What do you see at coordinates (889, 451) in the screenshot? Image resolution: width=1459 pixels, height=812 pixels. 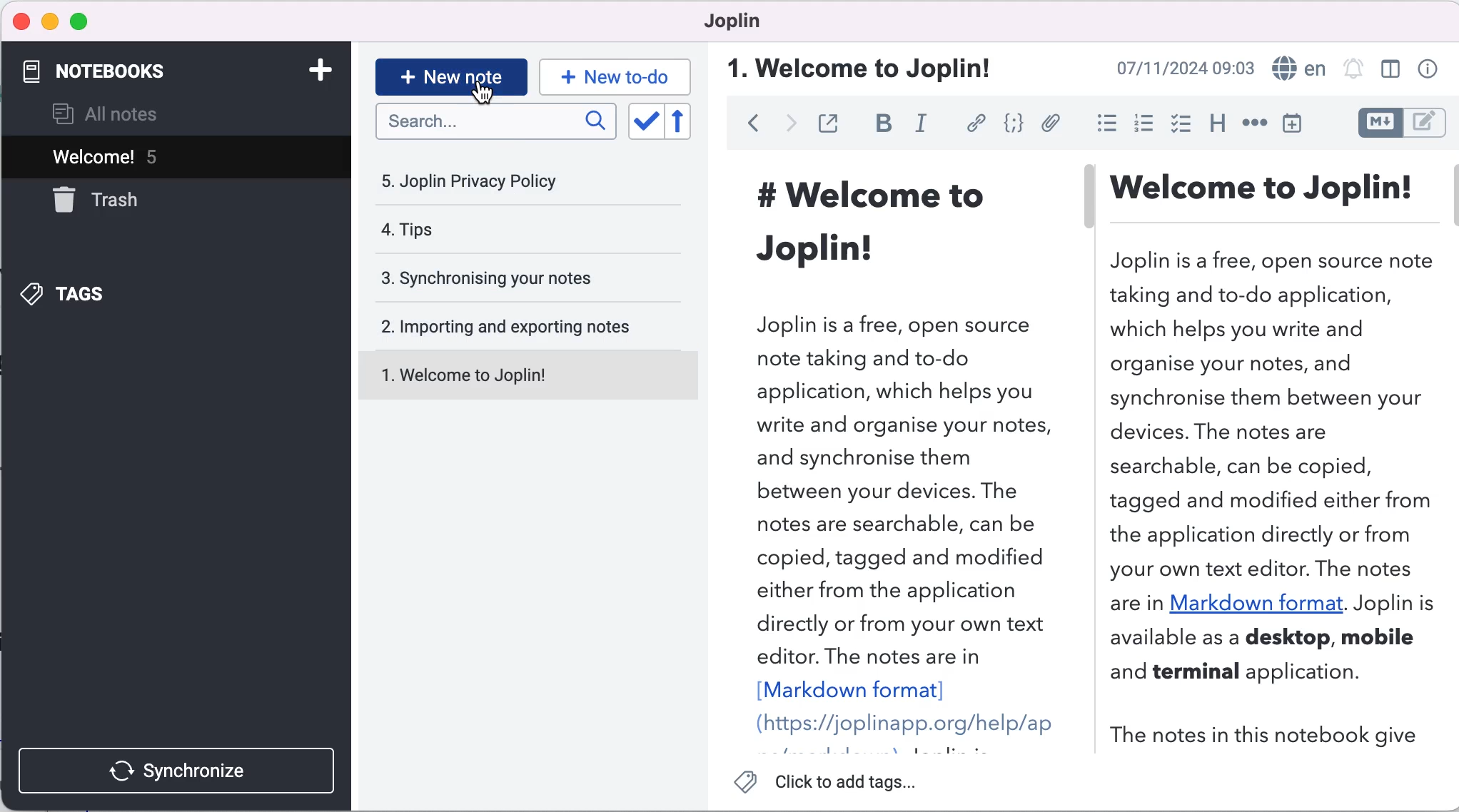 I see `# Welcome to
Joplin!

Joplin is a free, open source
note taking and to-do
application, which helps you
write and organise your notes,
and synchronise them
between your devices. The
notes are searchable, can be
copied, tagged and modified
either from the application
directly or from your own text
editor. The notes are in
[Markdown format]
(https://joplinapp.org/help/ap` at bounding box center [889, 451].